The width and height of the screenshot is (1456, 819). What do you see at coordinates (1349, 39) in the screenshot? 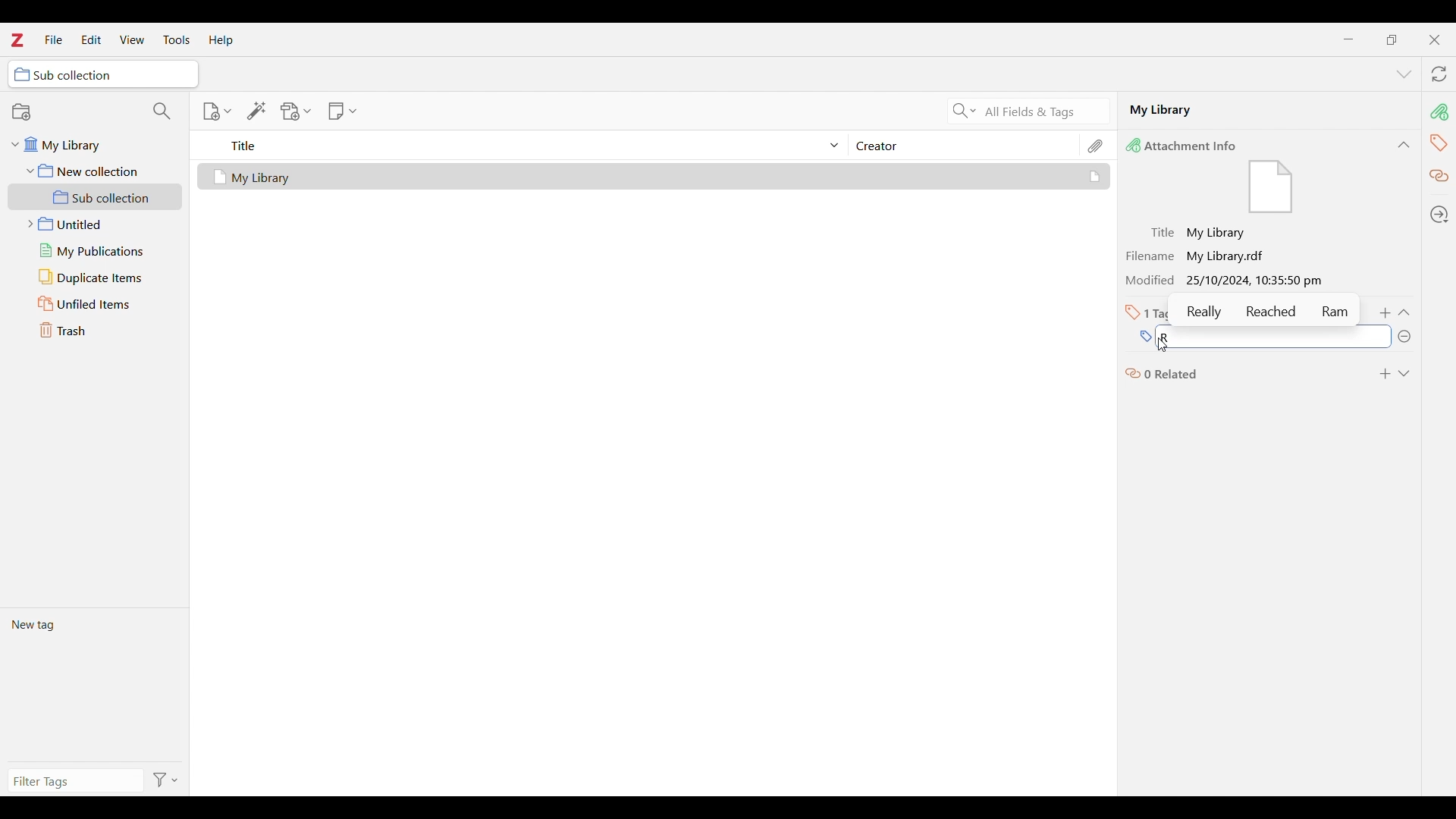
I see `Minimize` at bounding box center [1349, 39].